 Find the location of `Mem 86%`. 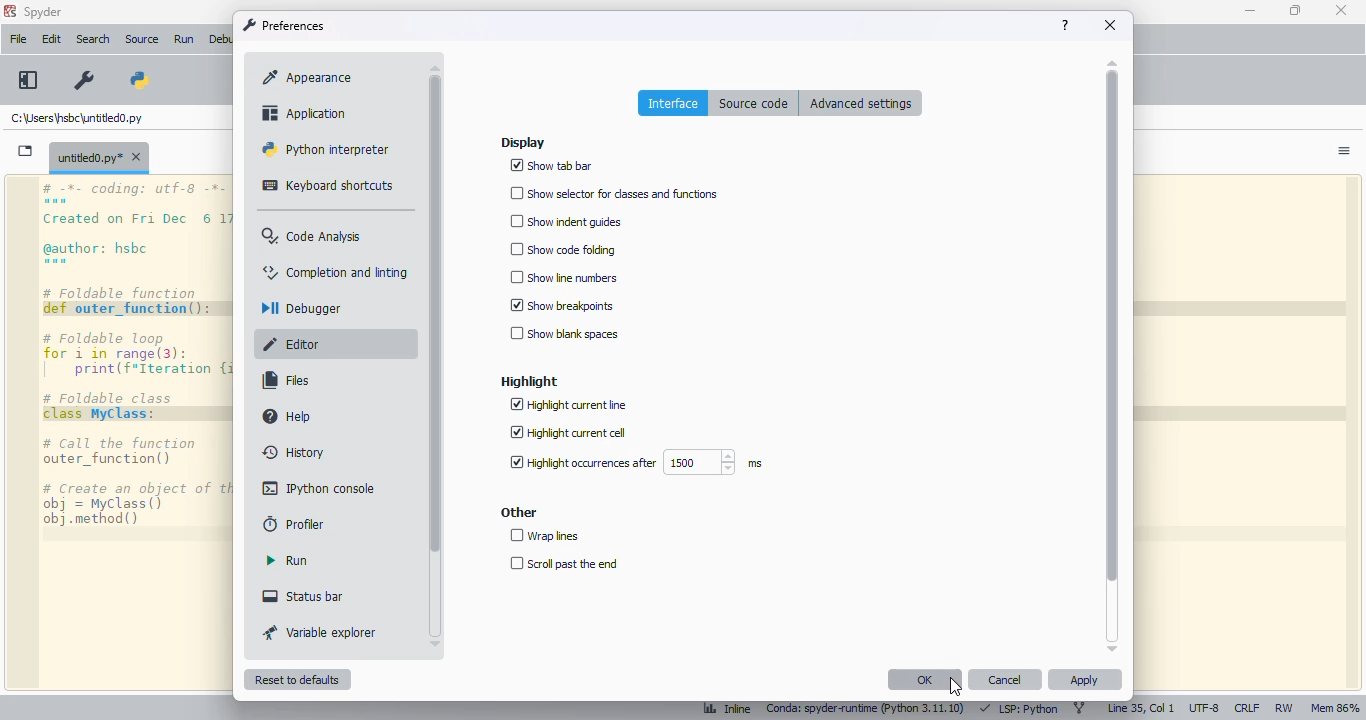

Mem 86% is located at coordinates (1338, 708).